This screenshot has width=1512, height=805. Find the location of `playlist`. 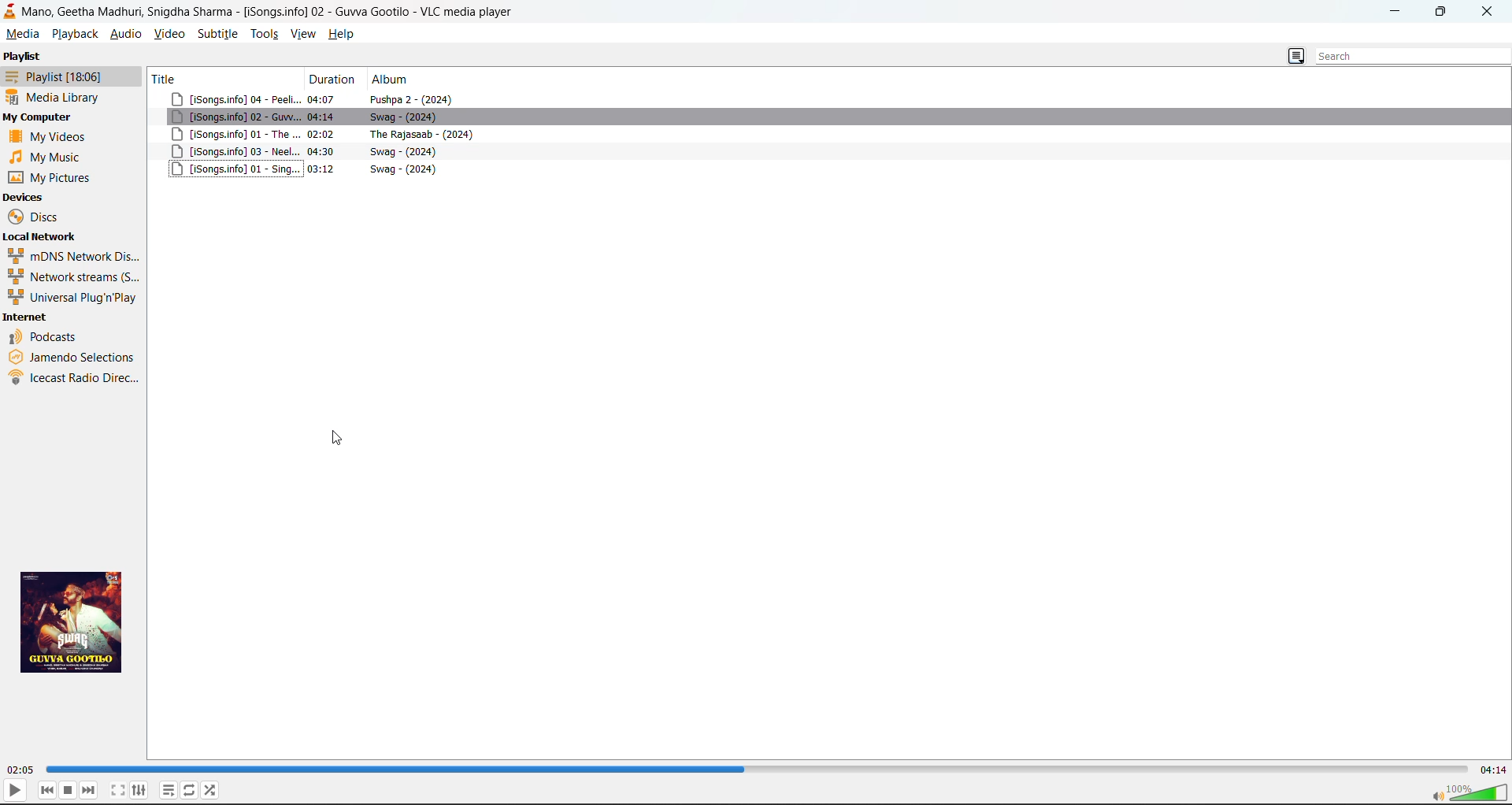

playlist is located at coordinates (52, 76).